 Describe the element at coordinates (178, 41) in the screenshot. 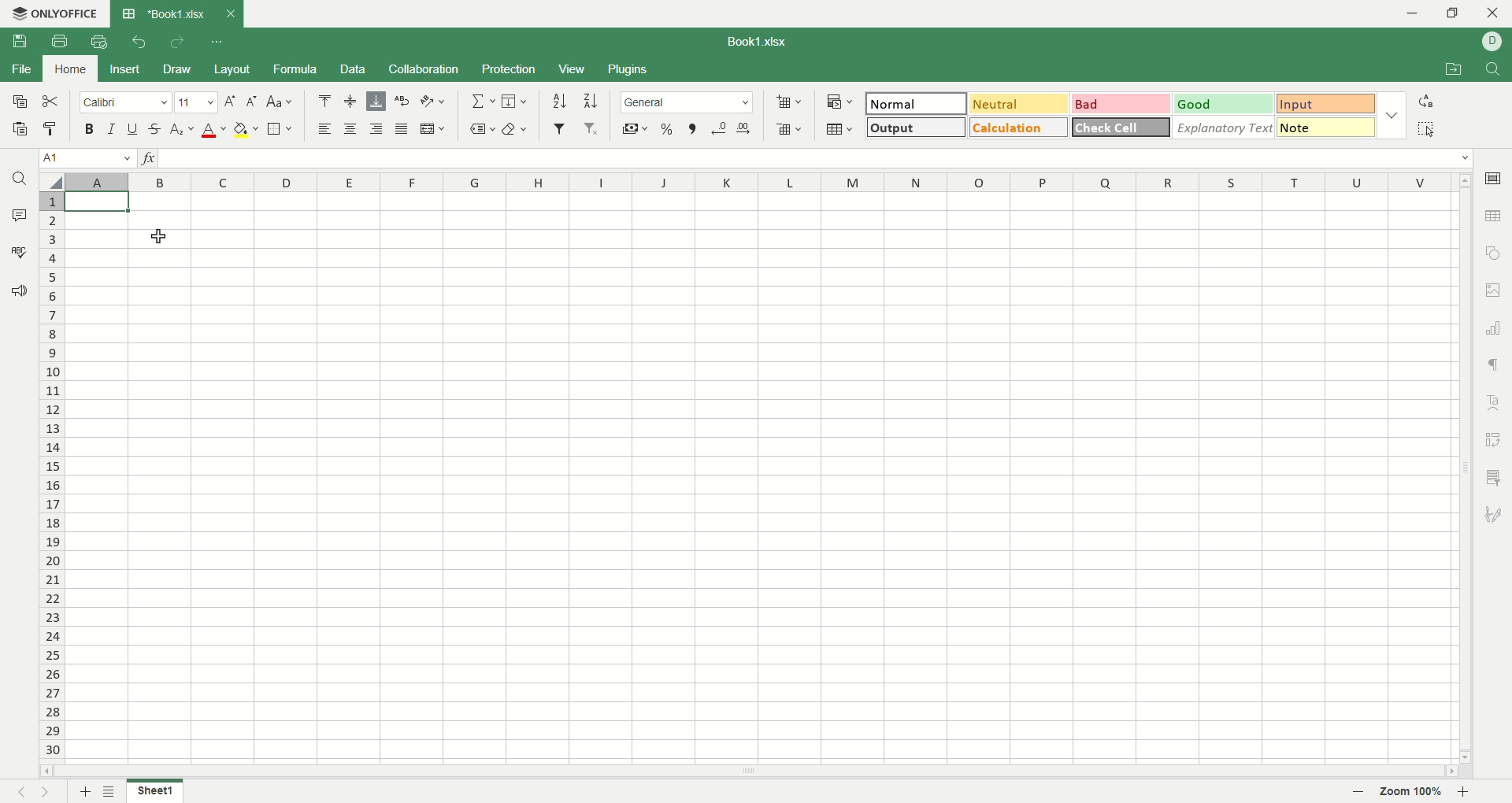

I see `redo` at that location.